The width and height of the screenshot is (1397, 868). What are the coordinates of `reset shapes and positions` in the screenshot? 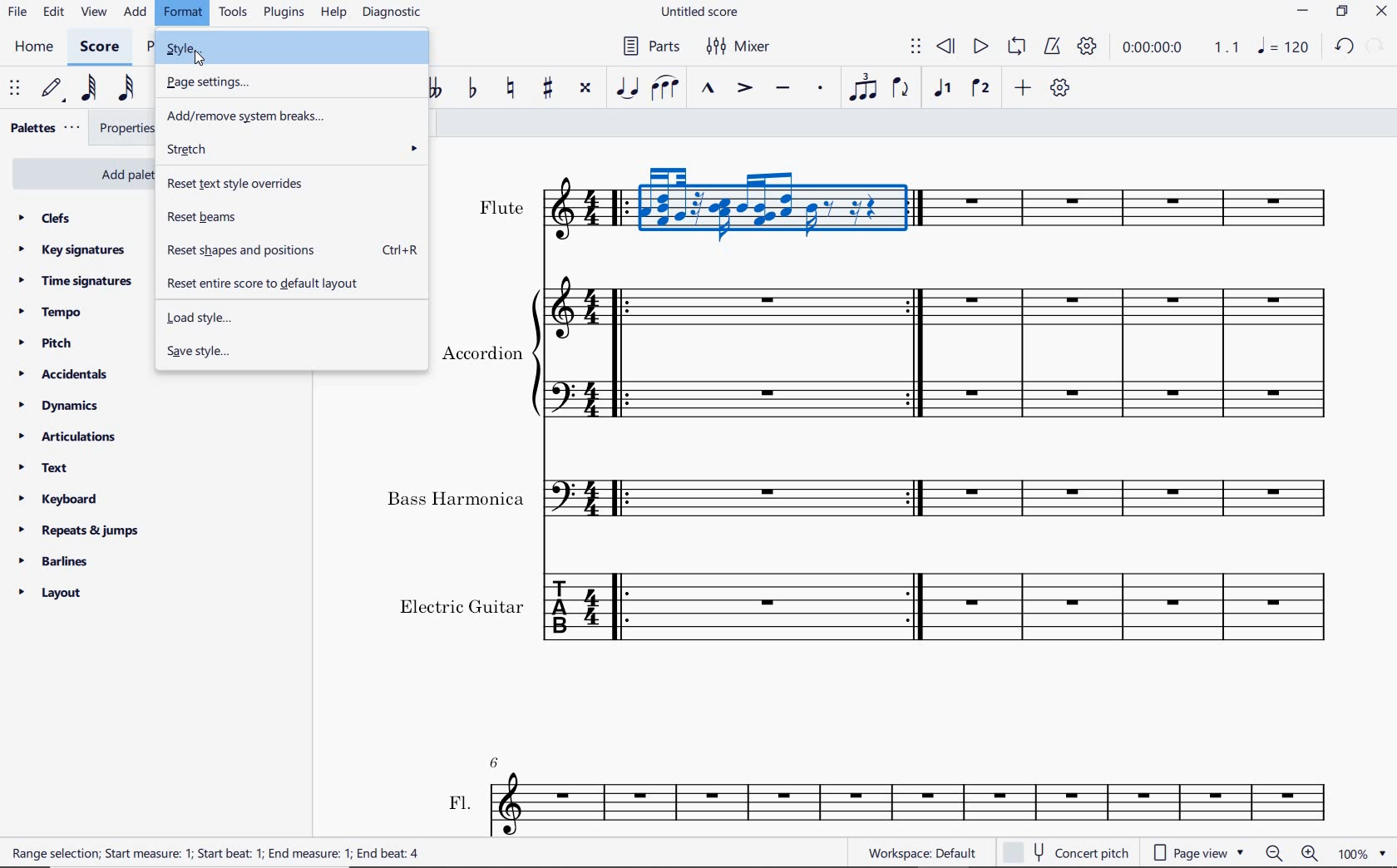 It's located at (293, 250).